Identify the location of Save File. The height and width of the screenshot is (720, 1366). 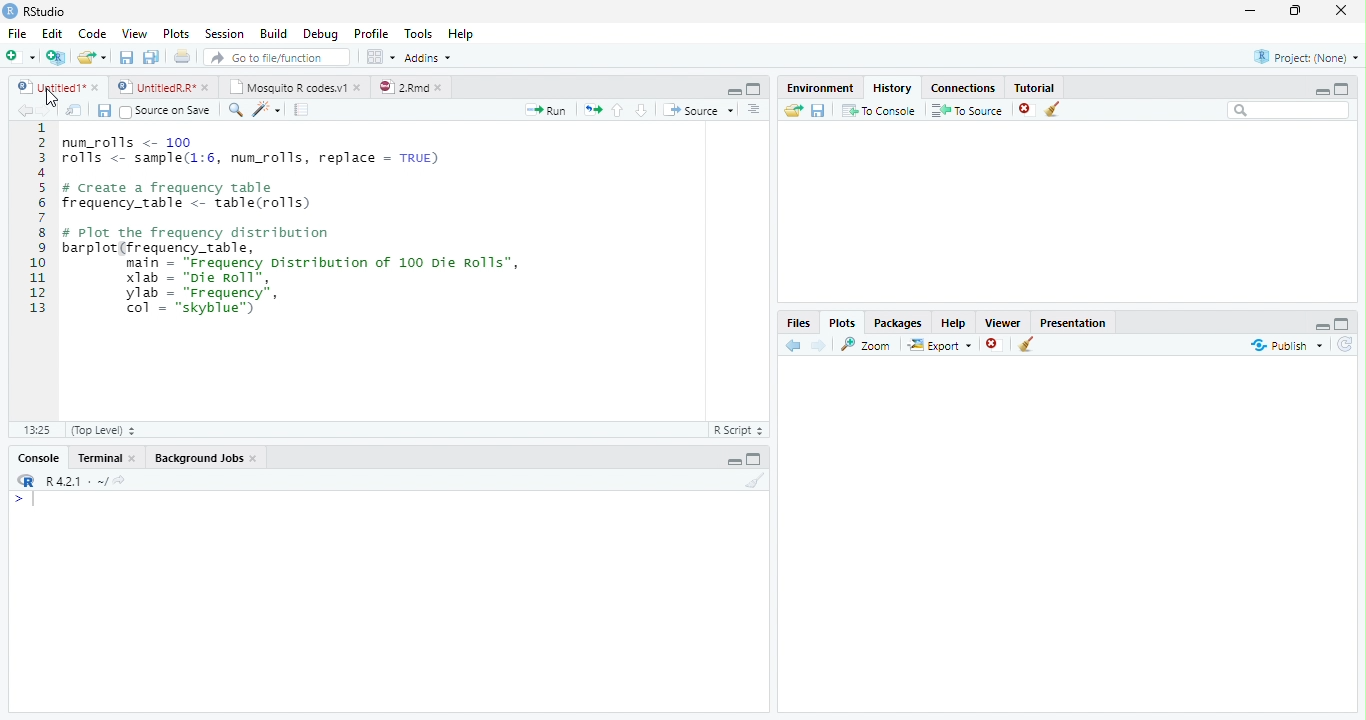
(819, 110).